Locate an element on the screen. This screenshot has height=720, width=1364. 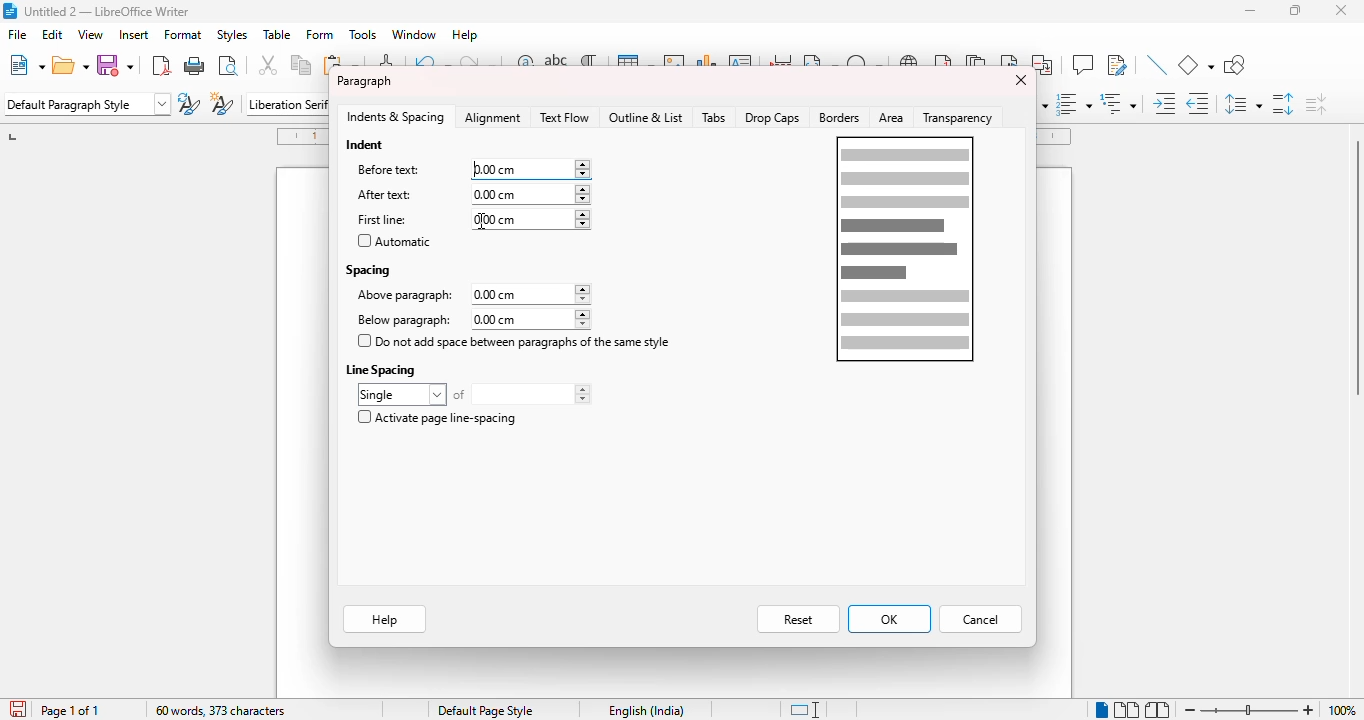
increase paragraph spacing is located at coordinates (1283, 103).